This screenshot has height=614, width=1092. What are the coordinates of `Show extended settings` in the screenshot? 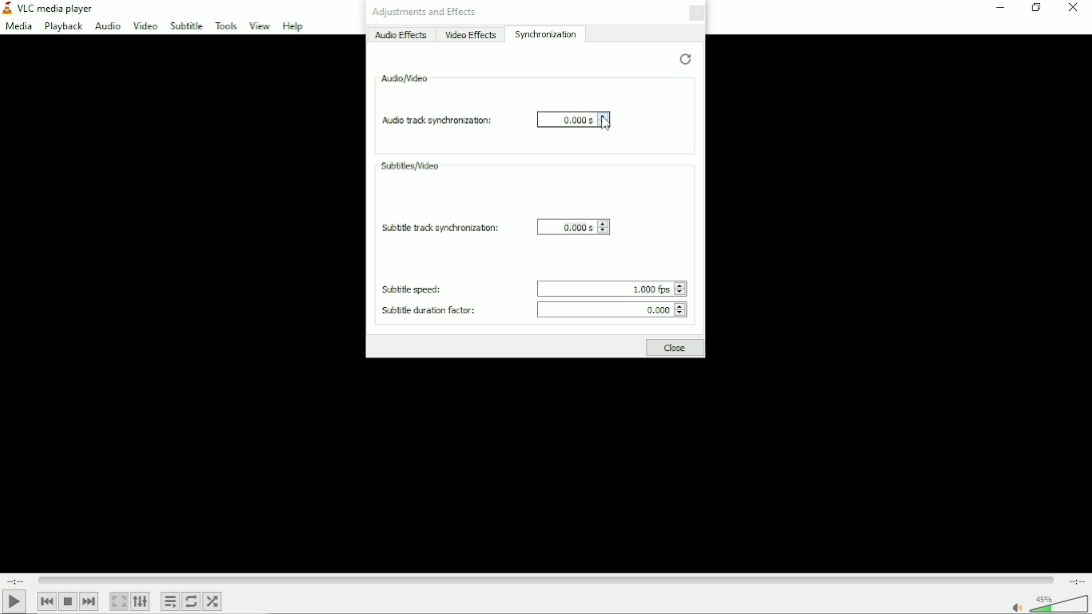 It's located at (141, 601).